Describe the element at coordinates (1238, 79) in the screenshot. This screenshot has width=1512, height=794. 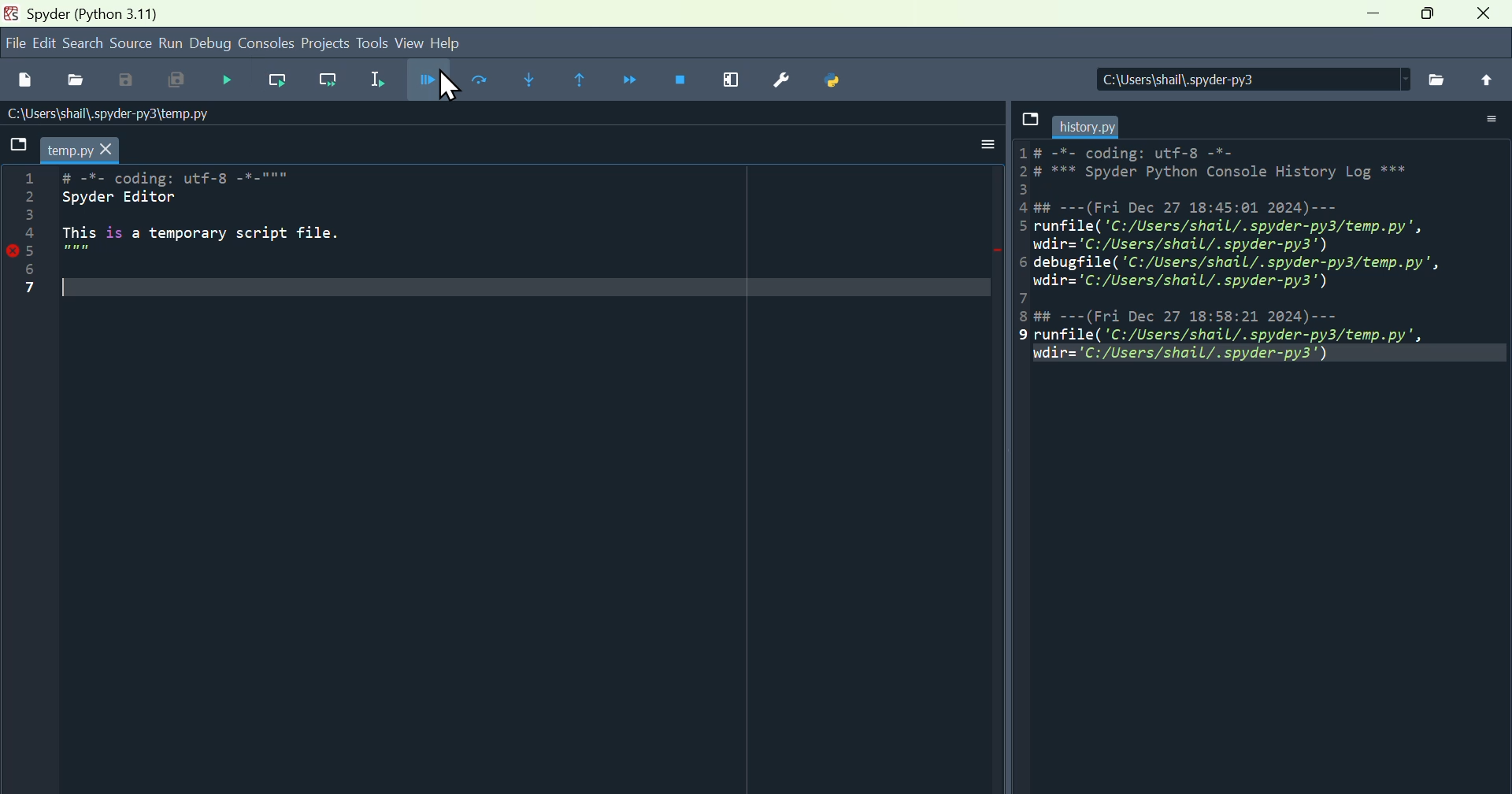
I see `Location of the file` at that location.